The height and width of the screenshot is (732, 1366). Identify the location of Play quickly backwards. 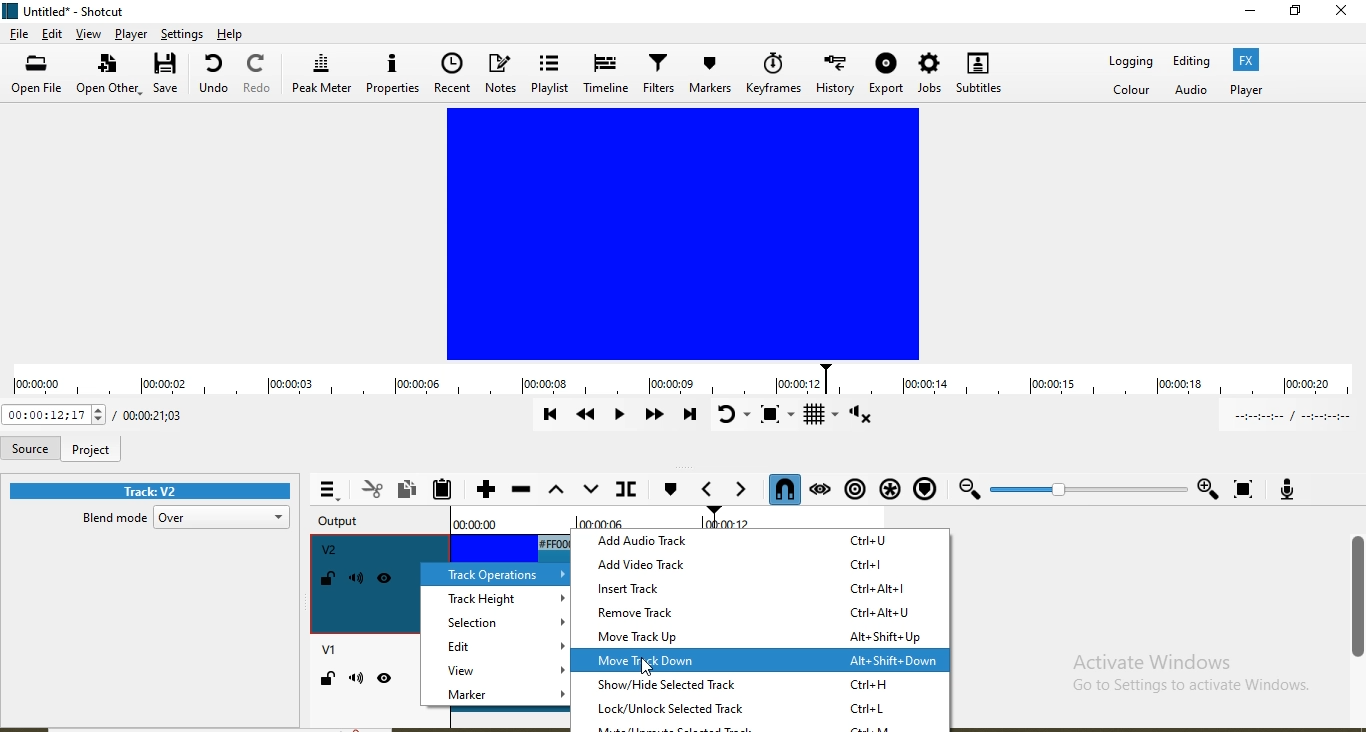
(583, 417).